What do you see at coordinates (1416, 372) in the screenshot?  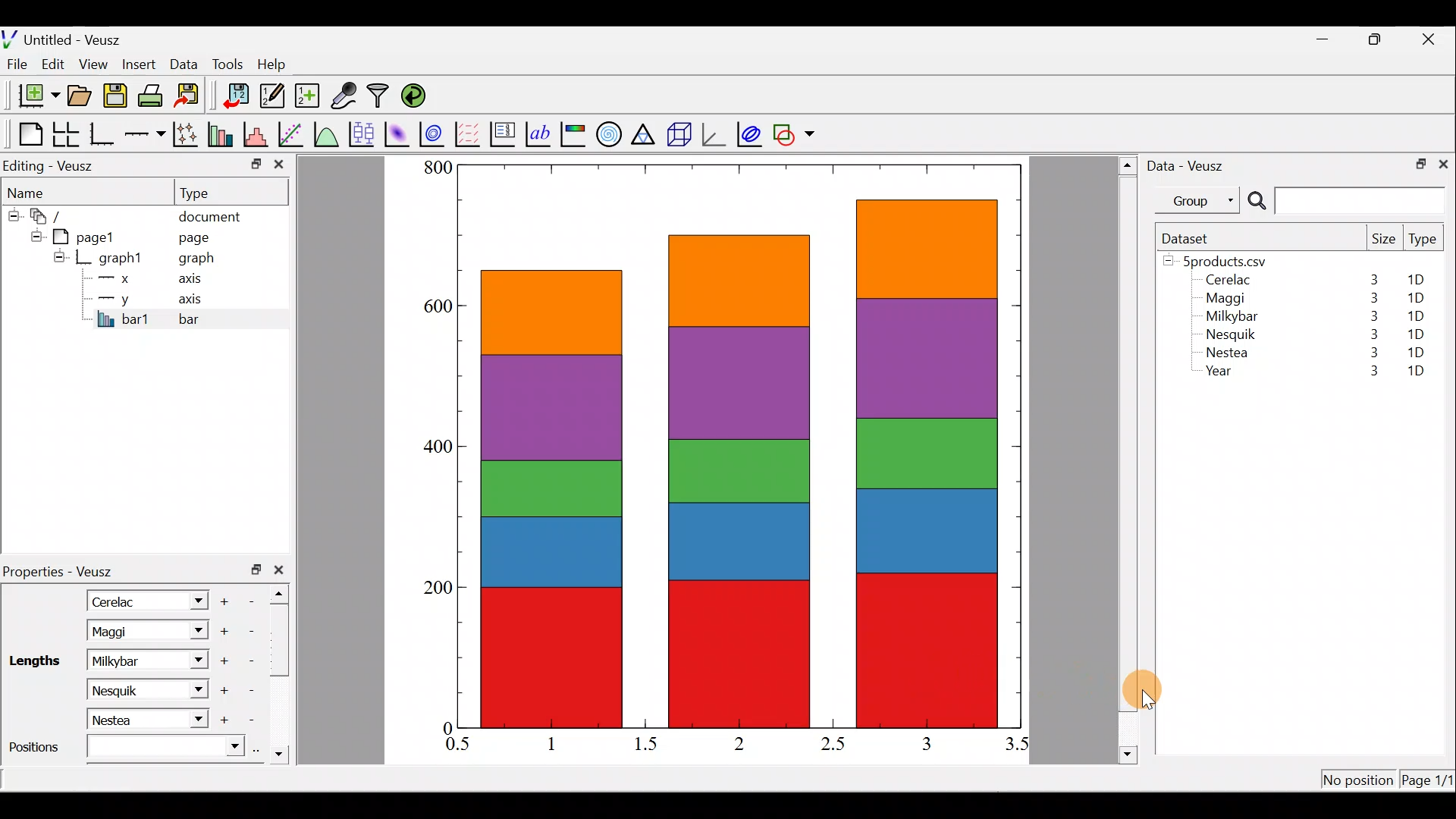 I see `1D` at bounding box center [1416, 372].